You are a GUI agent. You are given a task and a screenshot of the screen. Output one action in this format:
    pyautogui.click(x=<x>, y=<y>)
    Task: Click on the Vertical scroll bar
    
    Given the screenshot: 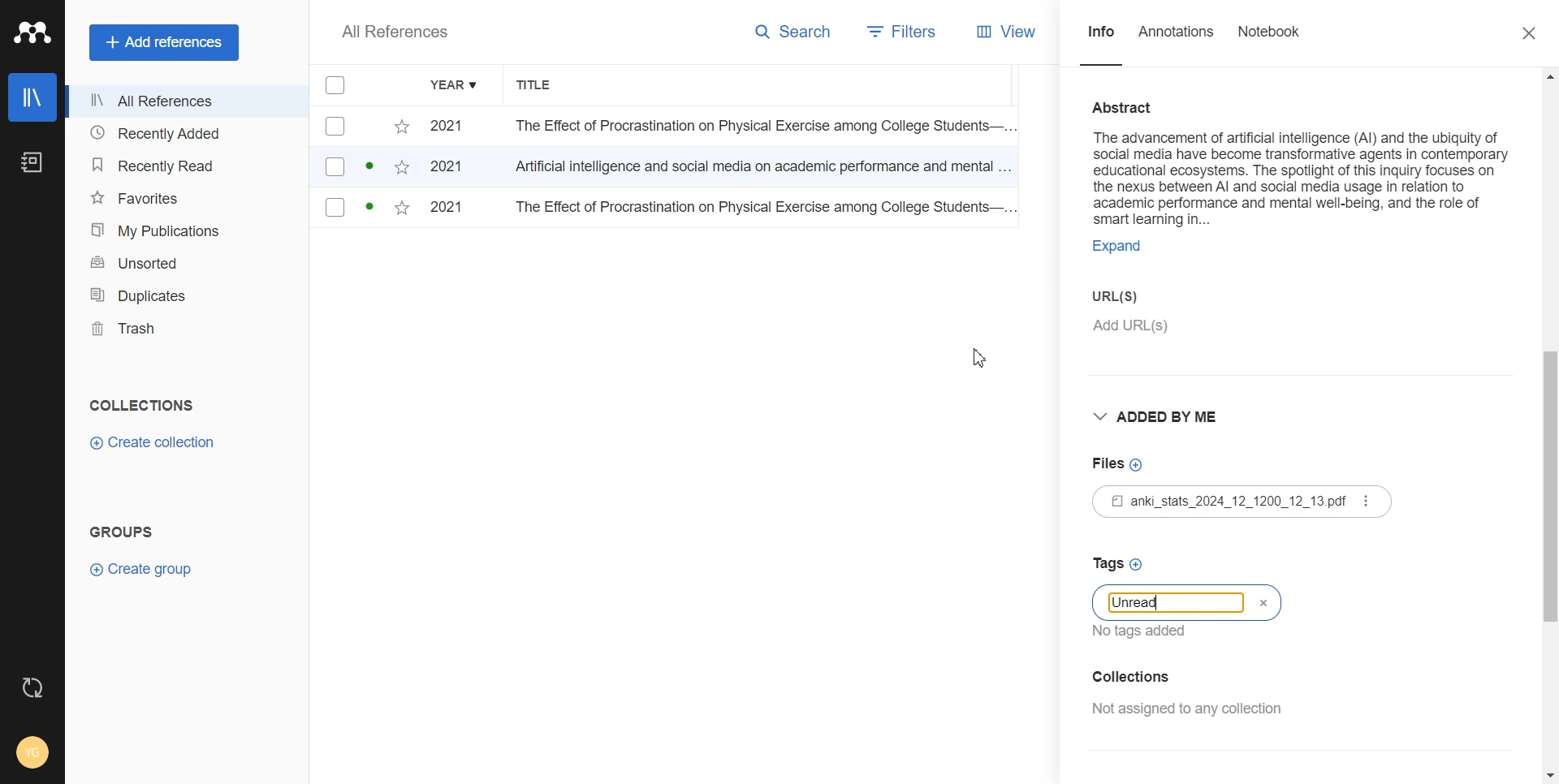 What is the action you would take?
    pyautogui.click(x=1549, y=424)
    